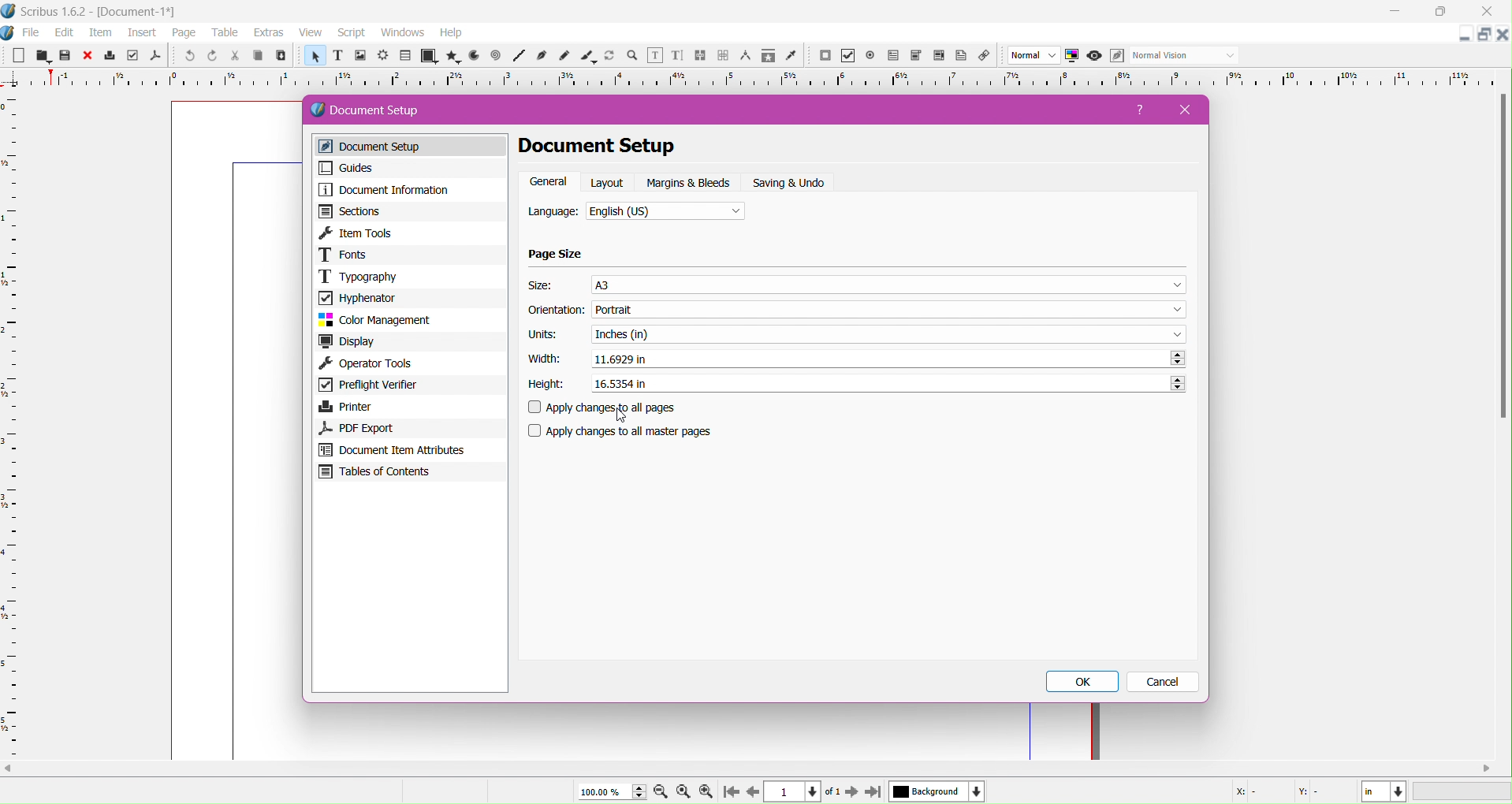 The image size is (1512, 804). I want to click on go to next page, so click(851, 793).